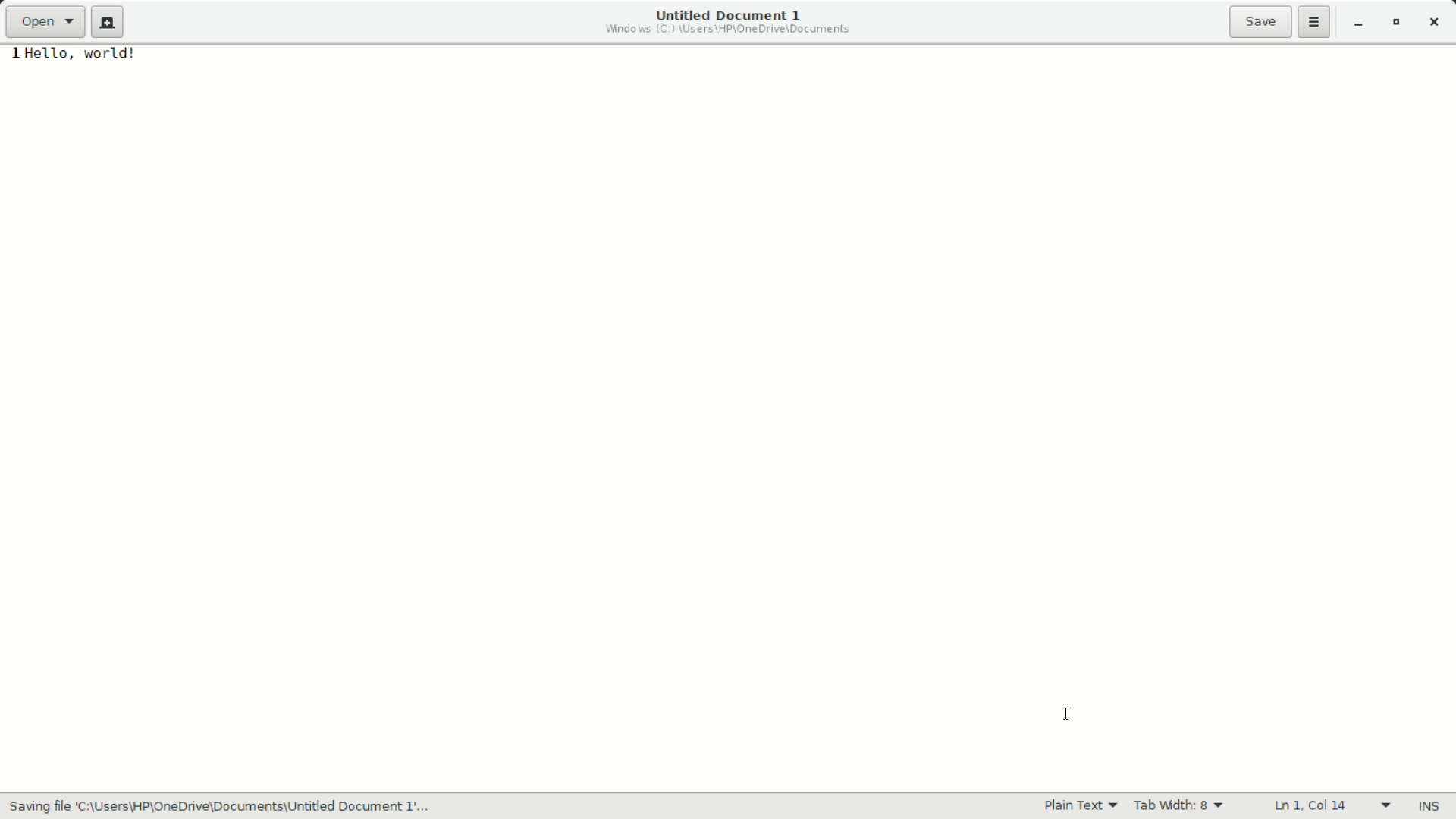  Describe the element at coordinates (1070, 712) in the screenshot. I see `cursor` at that location.